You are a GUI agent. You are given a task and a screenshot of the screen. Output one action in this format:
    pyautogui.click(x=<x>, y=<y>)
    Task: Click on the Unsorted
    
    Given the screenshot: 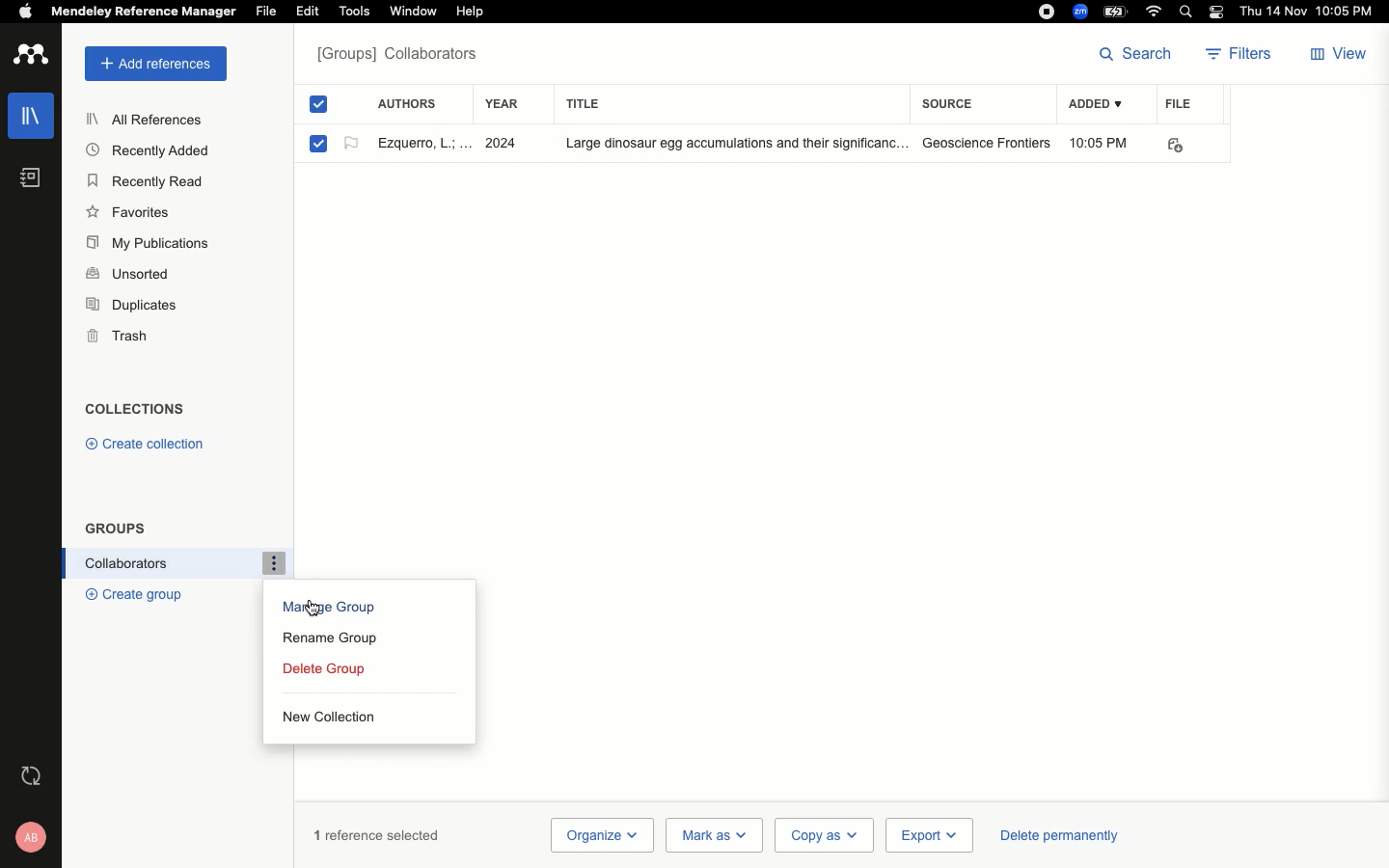 What is the action you would take?
    pyautogui.click(x=130, y=271)
    